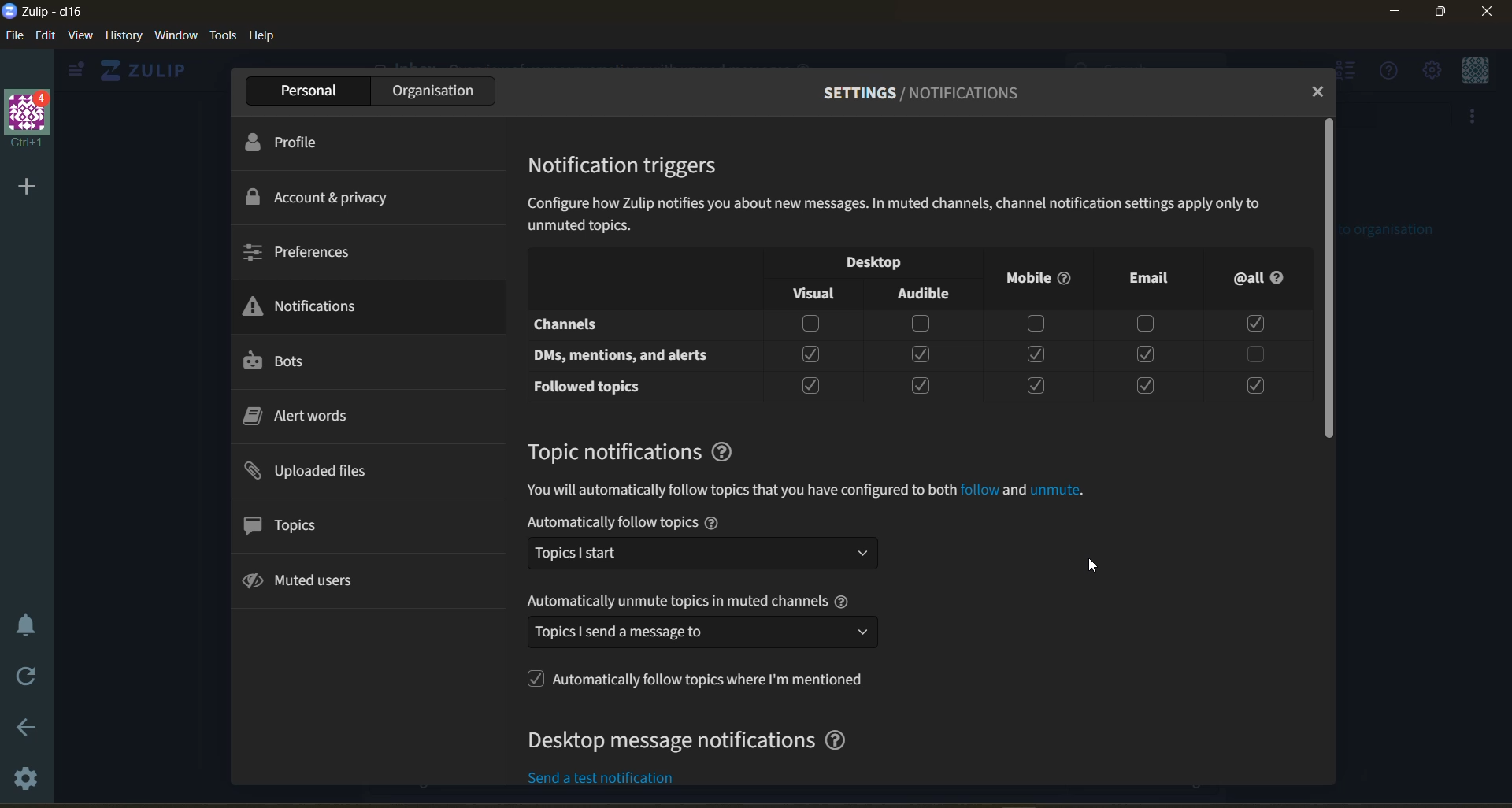 The height and width of the screenshot is (808, 1512). Describe the element at coordinates (13, 35) in the screenshot. I see `file` at that location.